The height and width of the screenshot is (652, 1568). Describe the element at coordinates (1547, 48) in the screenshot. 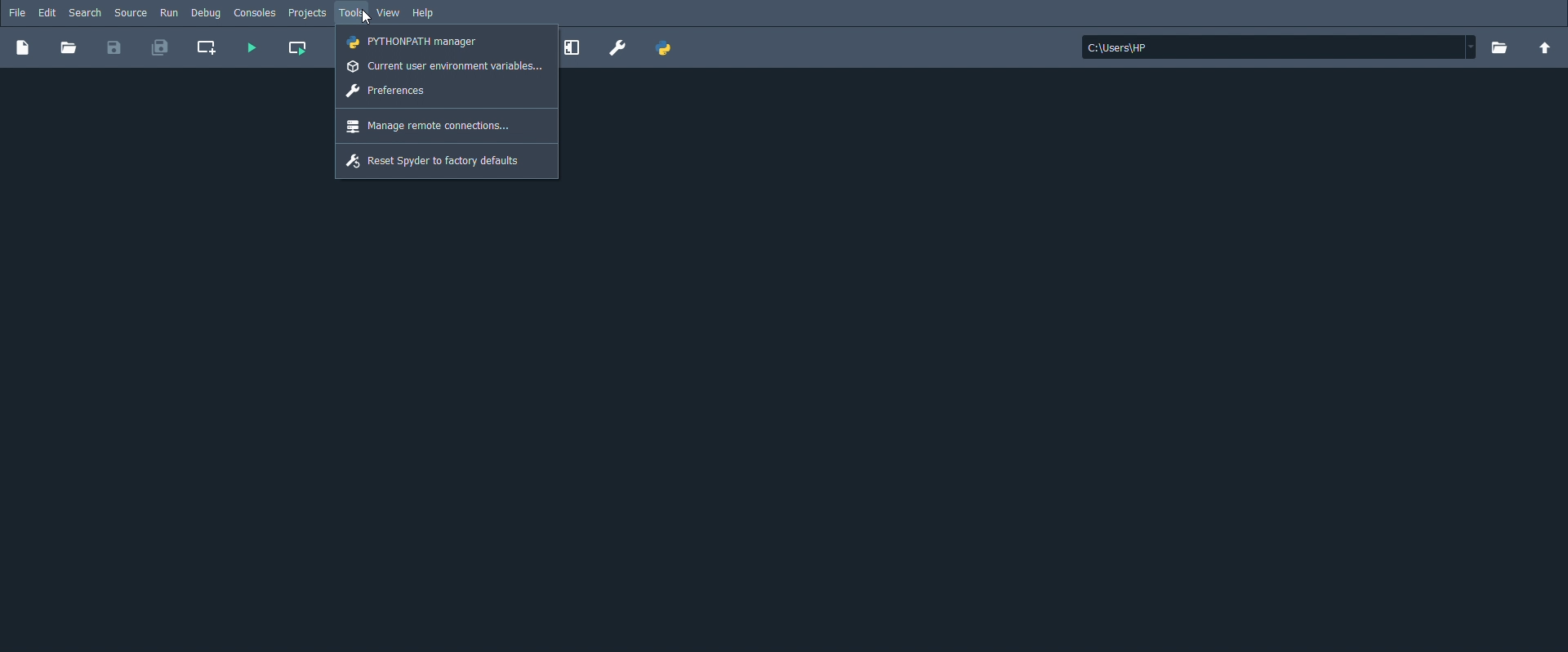

I see `Change to parent directory` at that location.